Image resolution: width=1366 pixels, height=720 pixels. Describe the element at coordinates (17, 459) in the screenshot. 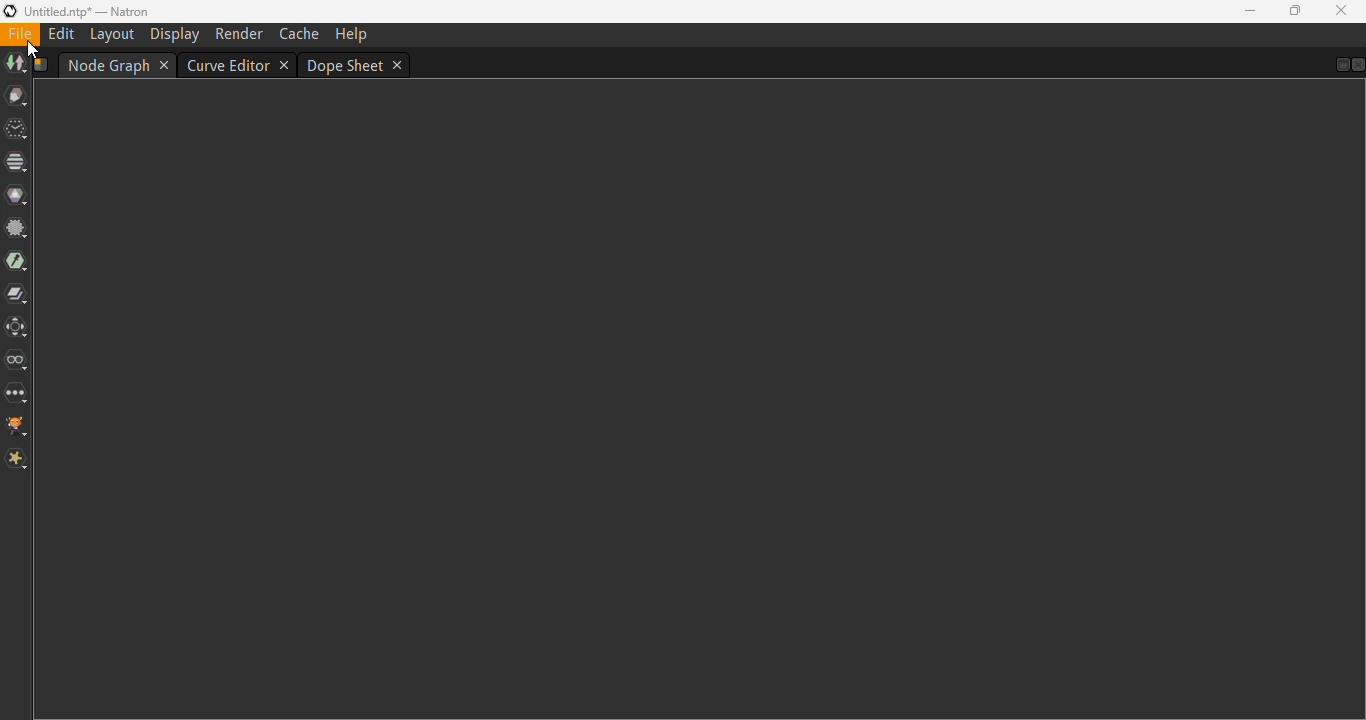

I see `Extra` at that location.